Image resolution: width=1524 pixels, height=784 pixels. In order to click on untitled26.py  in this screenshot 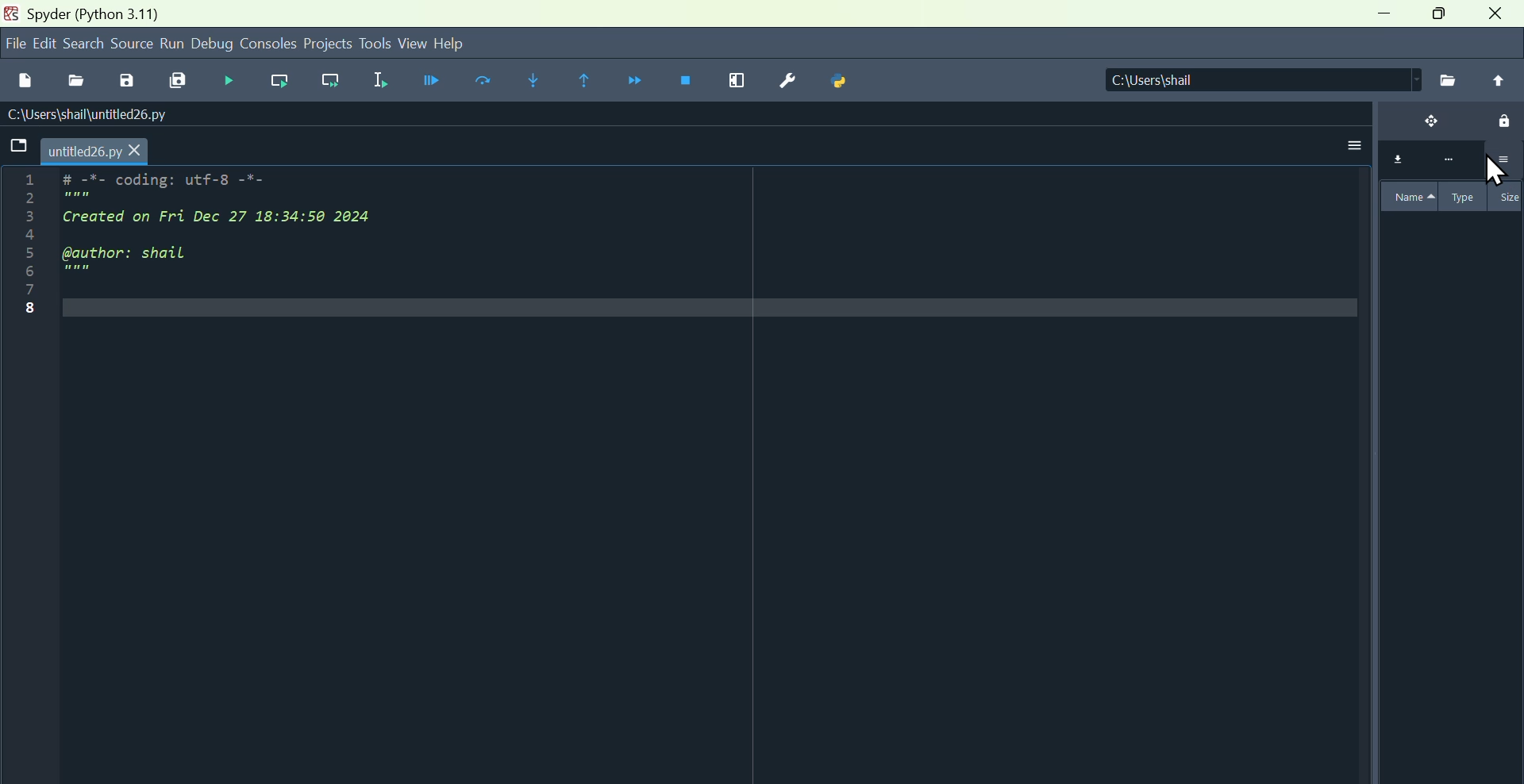, I will do `click(99, 151)`.